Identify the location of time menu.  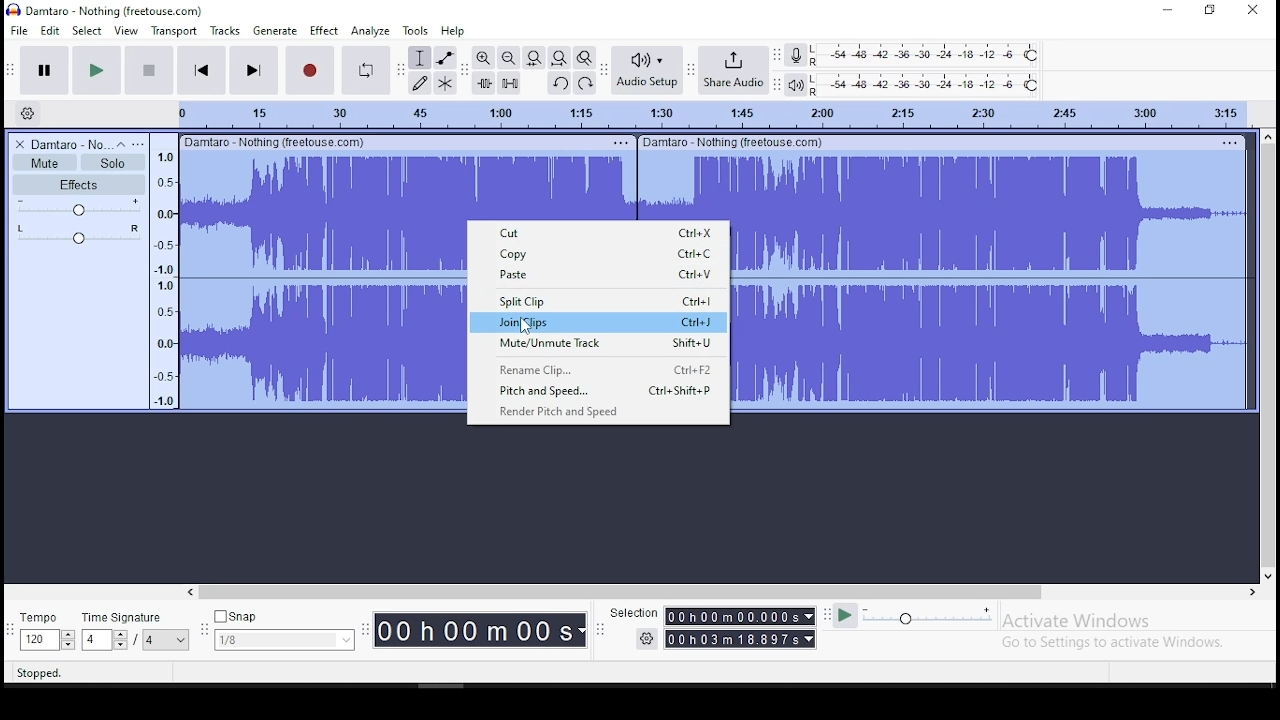
(480, 630).